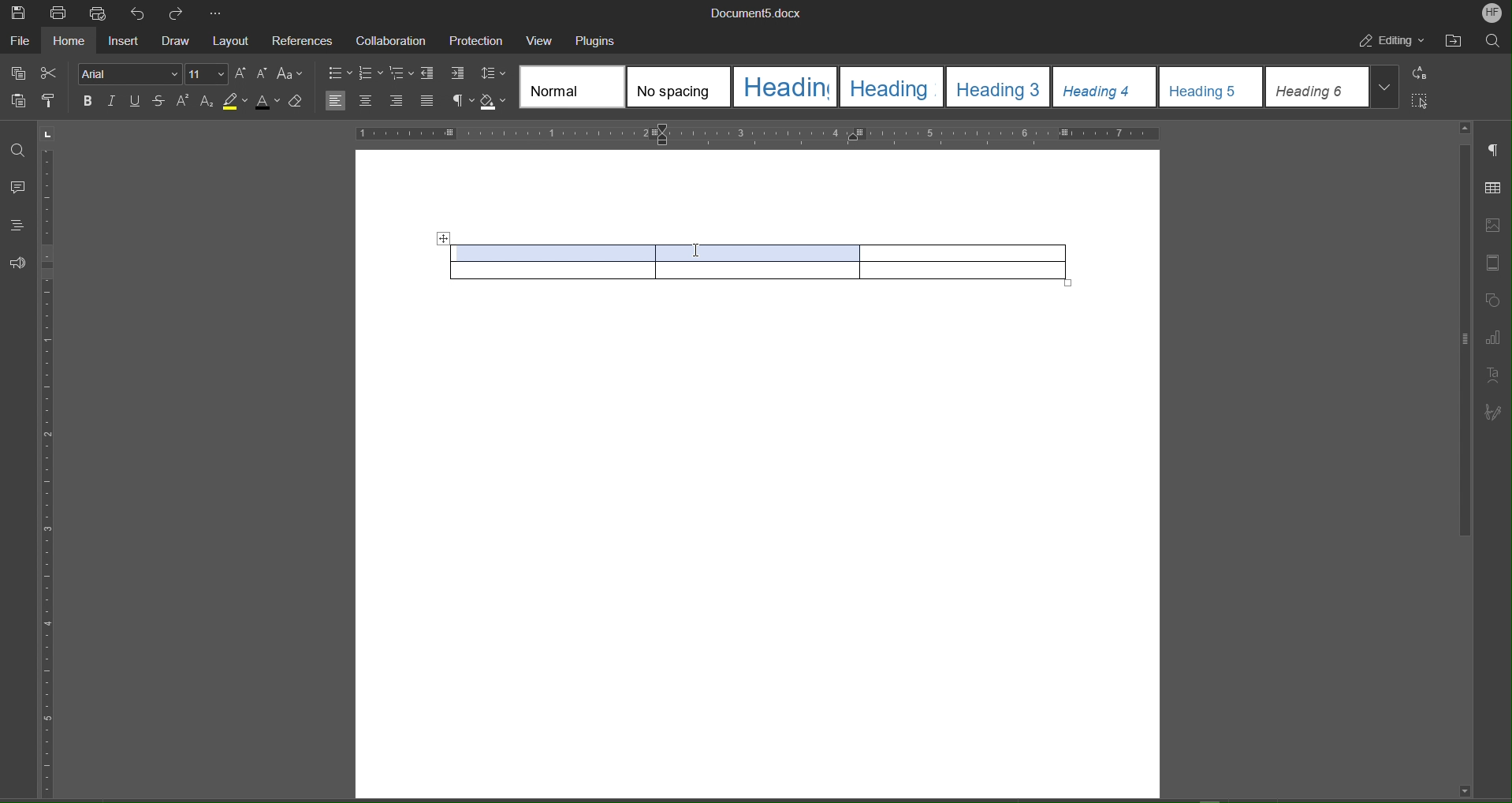  Describe the element at coordinates (1464, 790) in the screenshot. I see `scroll down` at that location.